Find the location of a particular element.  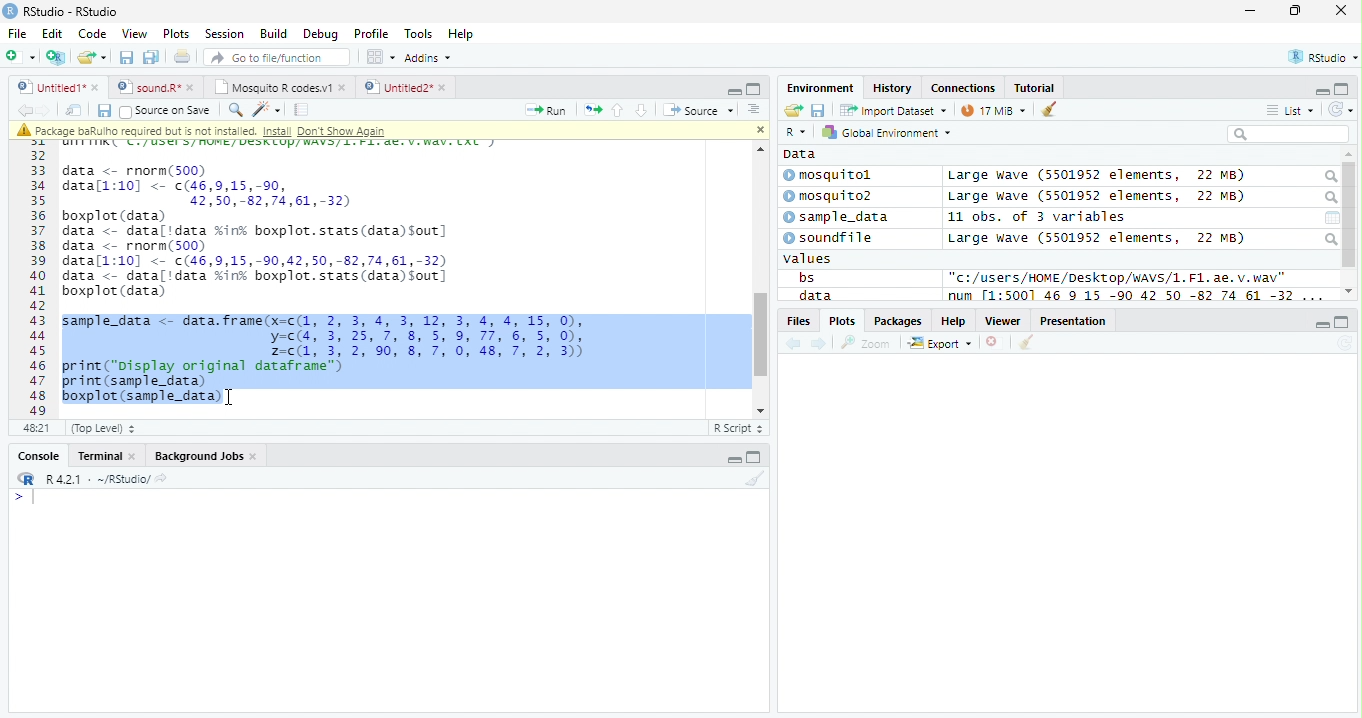

sound.R* is located at coordinates (153, 86).